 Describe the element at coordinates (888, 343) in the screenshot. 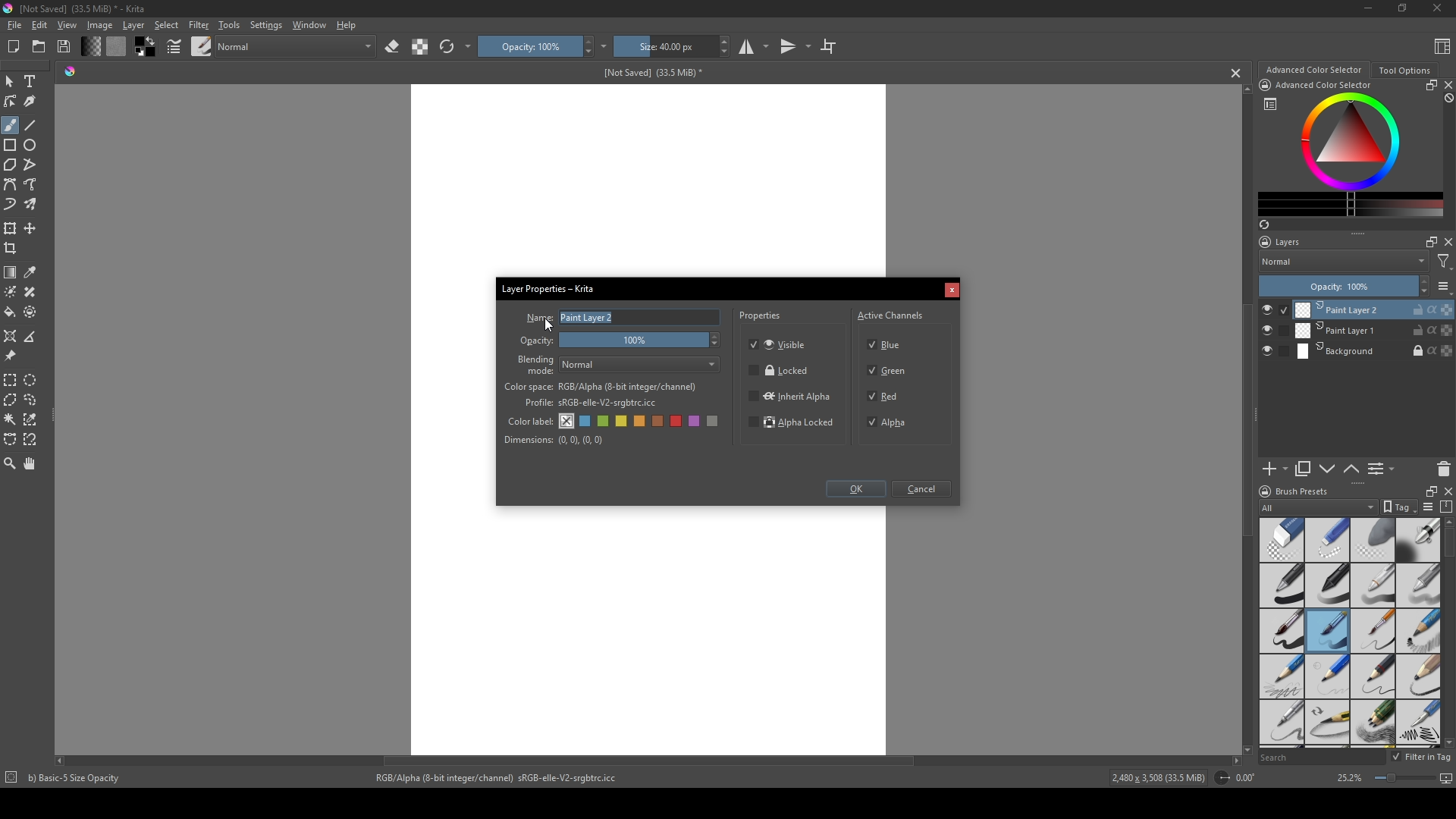

I see `Blue` at that location.